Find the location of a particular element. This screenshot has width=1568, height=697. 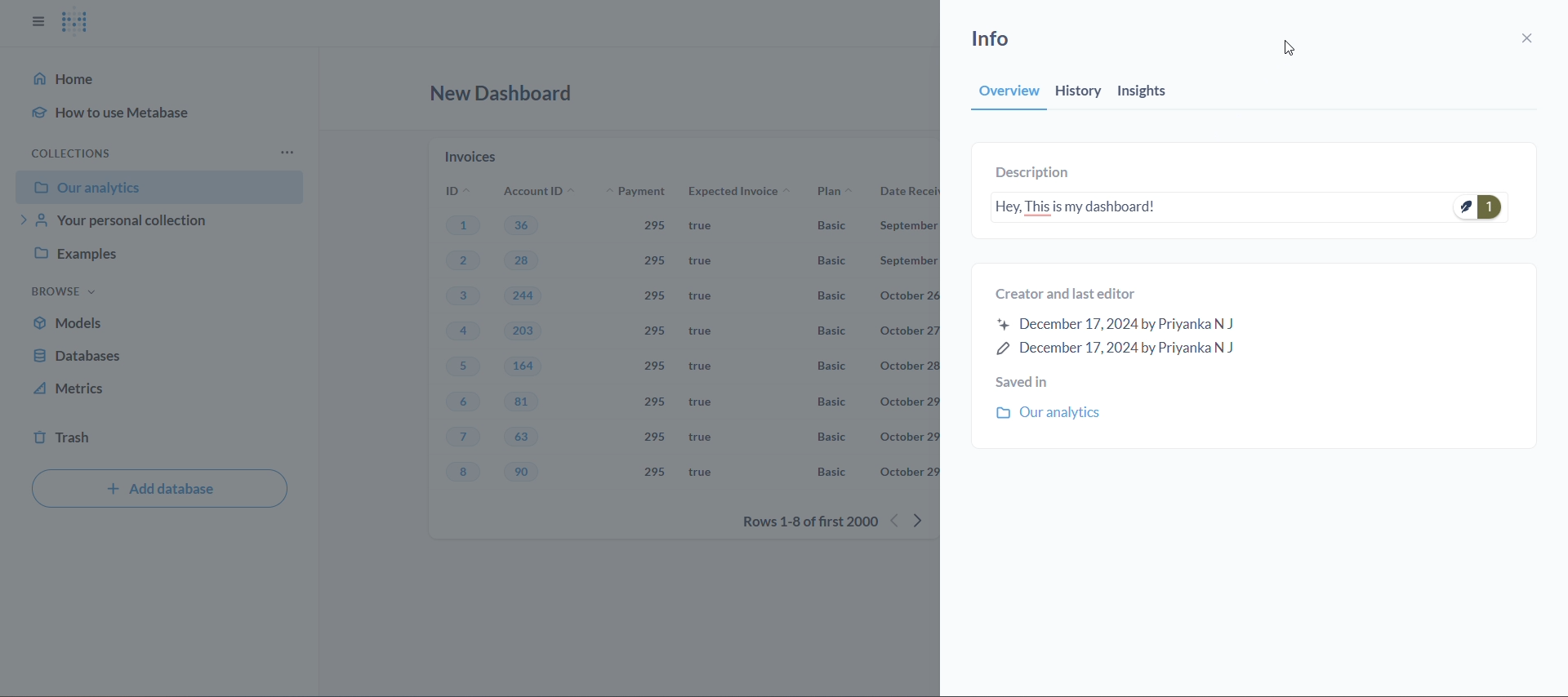

date received is located at coordinates (904, 194).